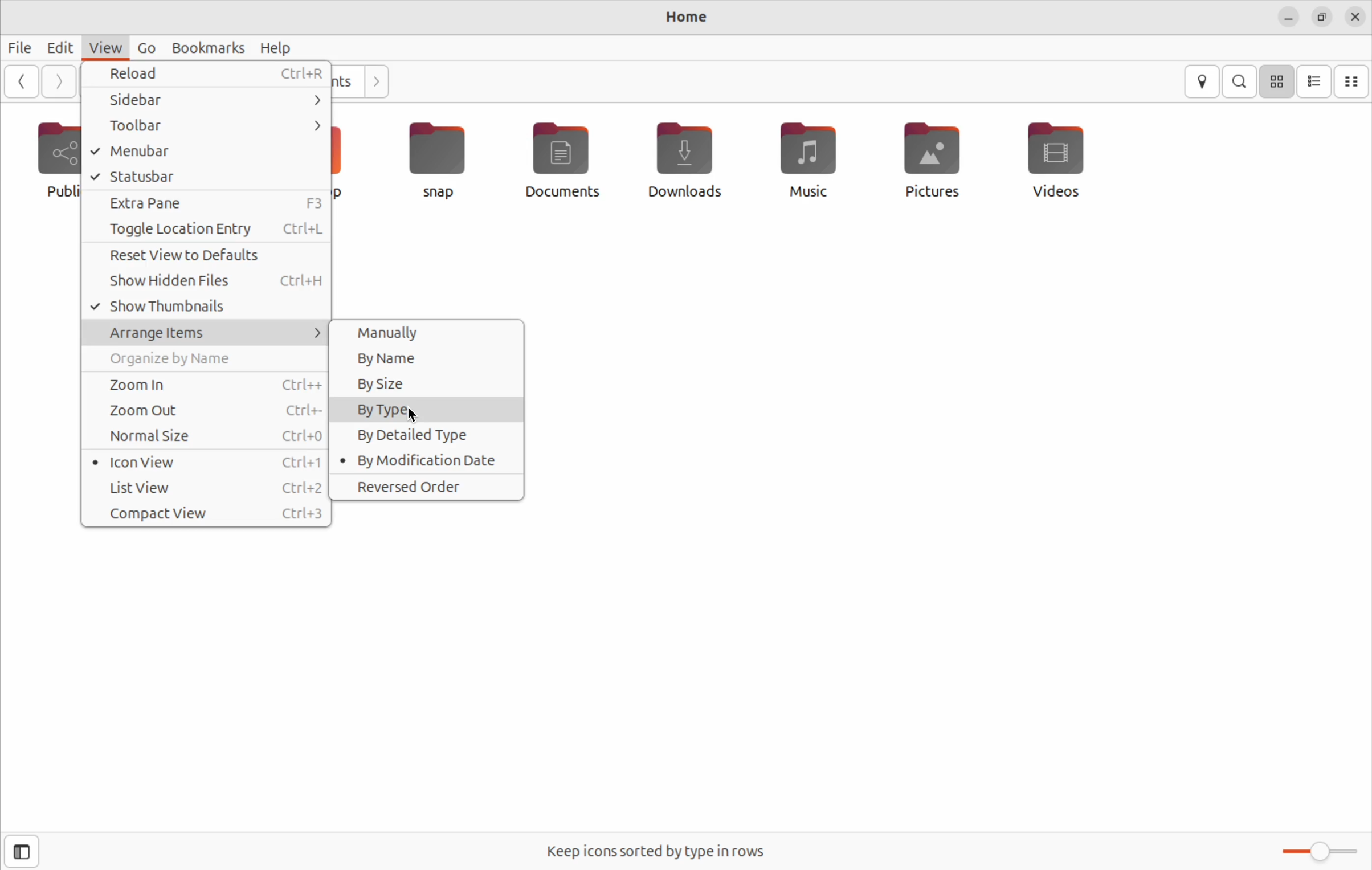 This screenshot has width=1372, height=870. I want to click on documents, so click(565, 163).